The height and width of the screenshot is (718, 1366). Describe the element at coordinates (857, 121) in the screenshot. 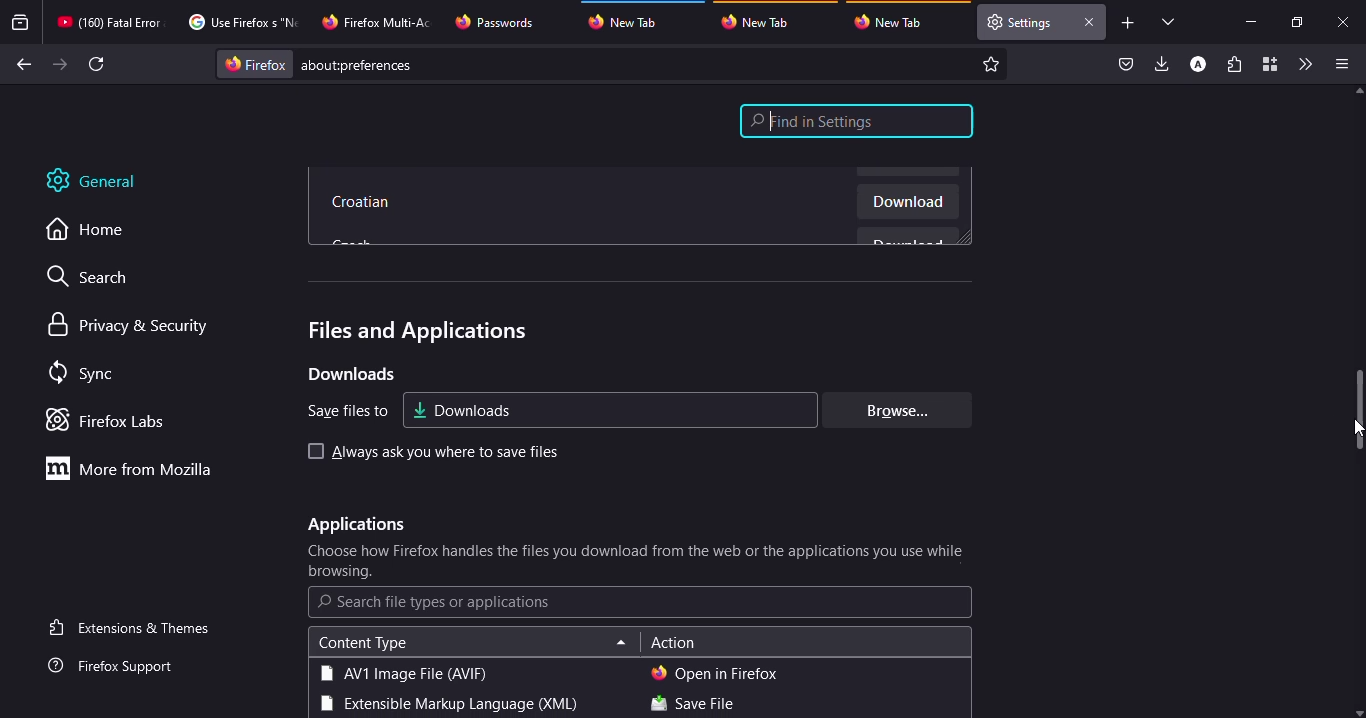

I see `find` at that location.